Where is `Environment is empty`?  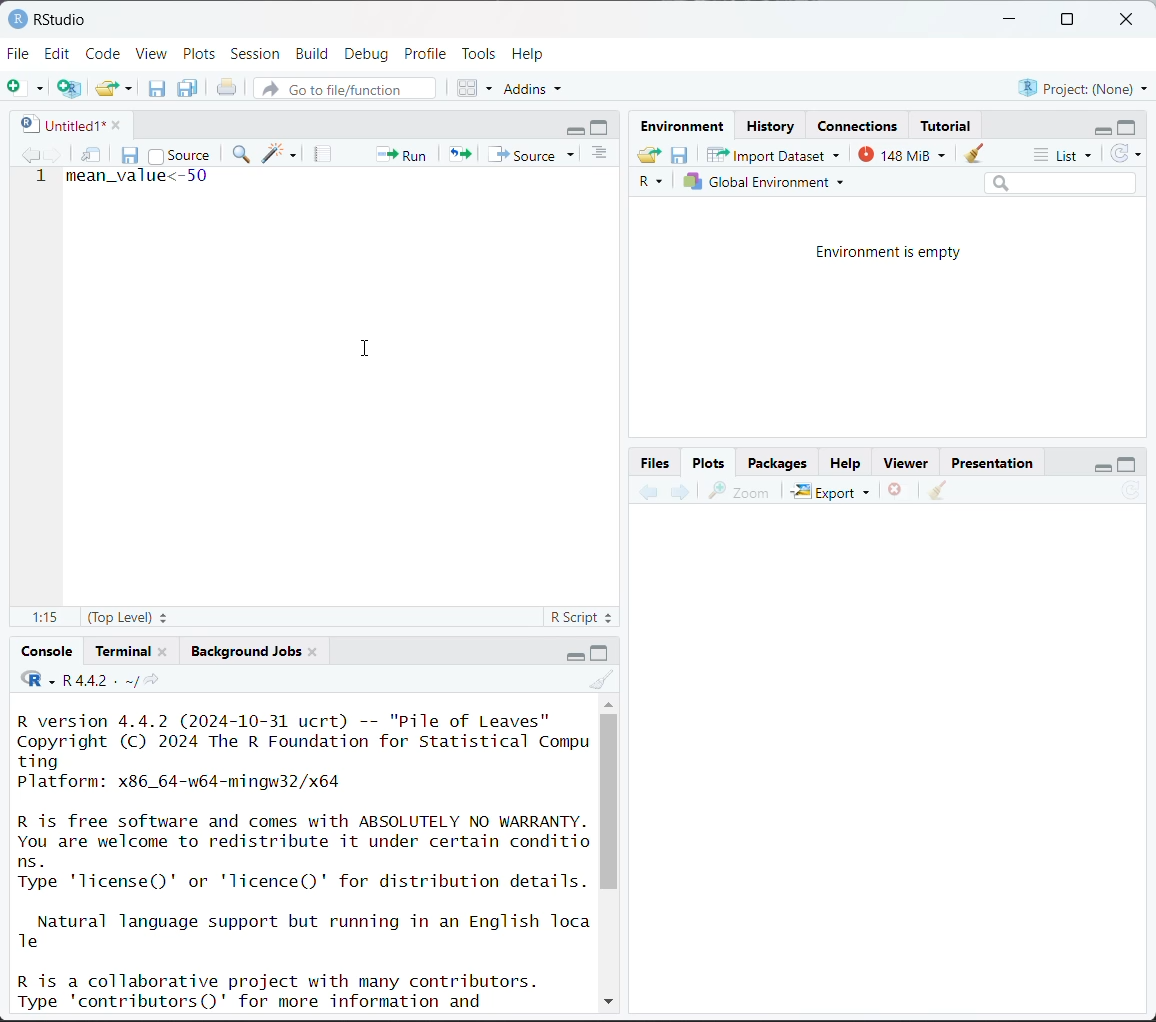 Environment is empty is located at coordinates (890, 253).